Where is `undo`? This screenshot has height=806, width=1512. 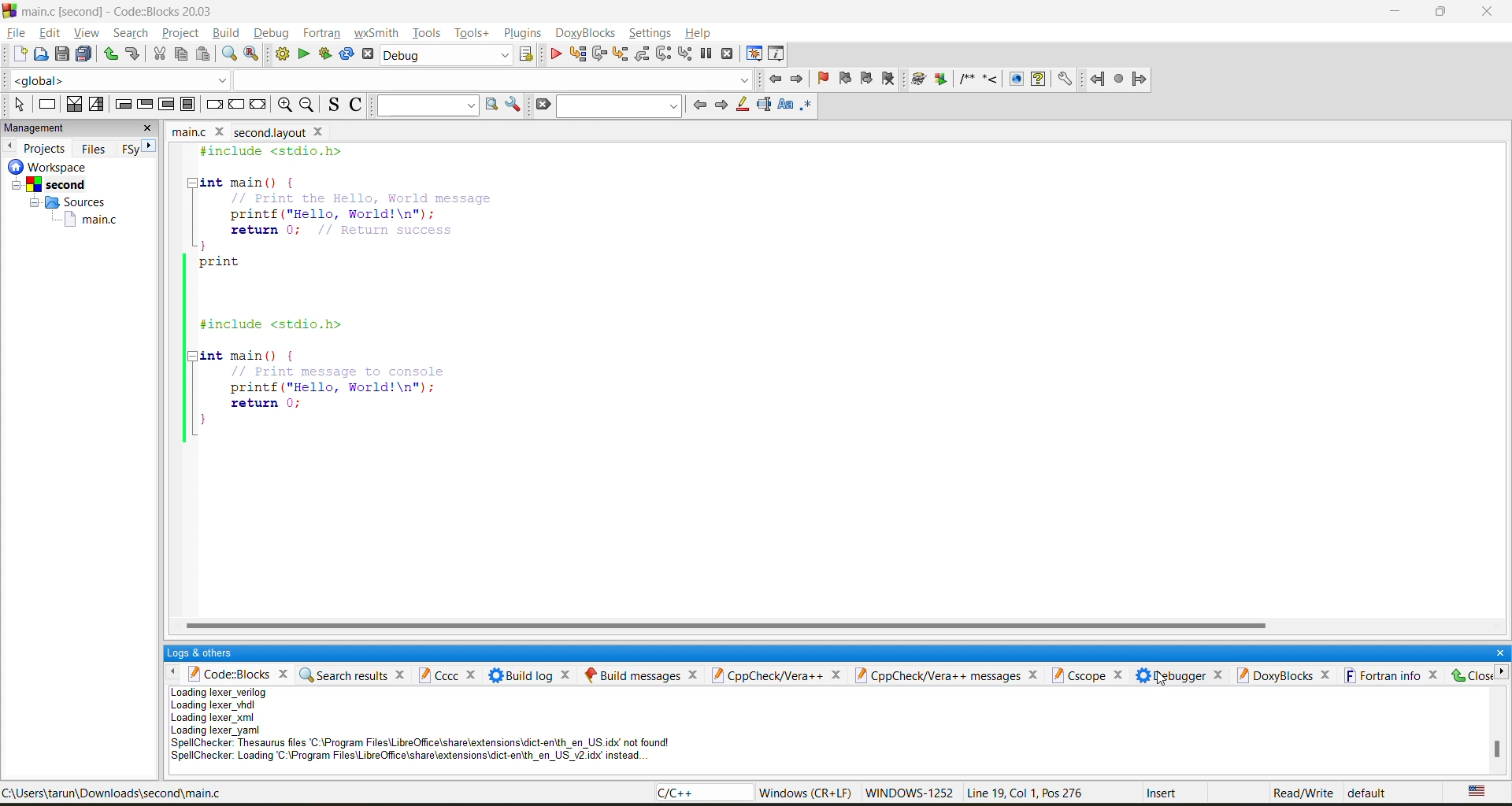
undo is located at coordinates (109, 55).